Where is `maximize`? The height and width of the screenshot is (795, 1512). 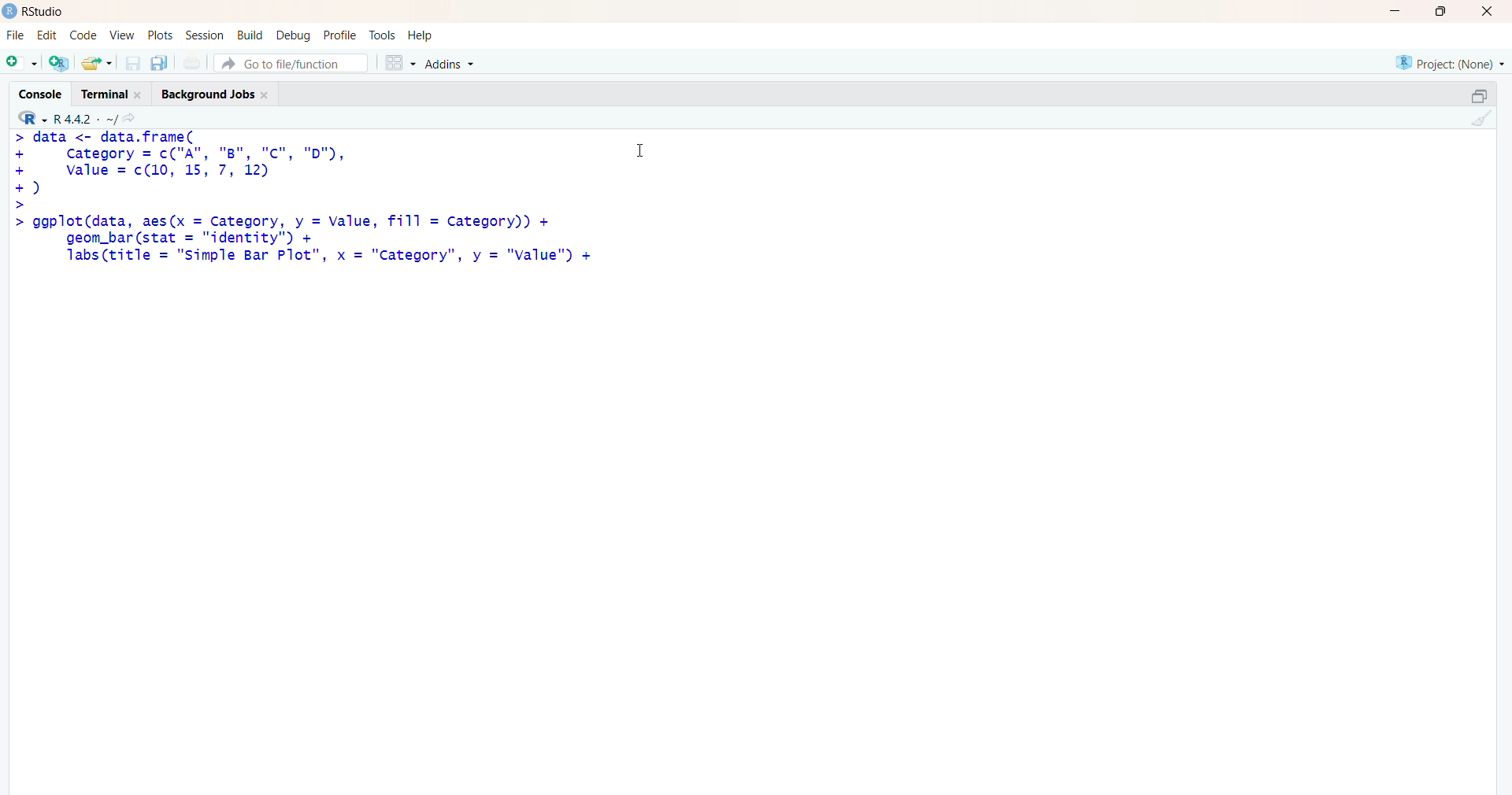
maximize is located at coordinates (1479, 96).